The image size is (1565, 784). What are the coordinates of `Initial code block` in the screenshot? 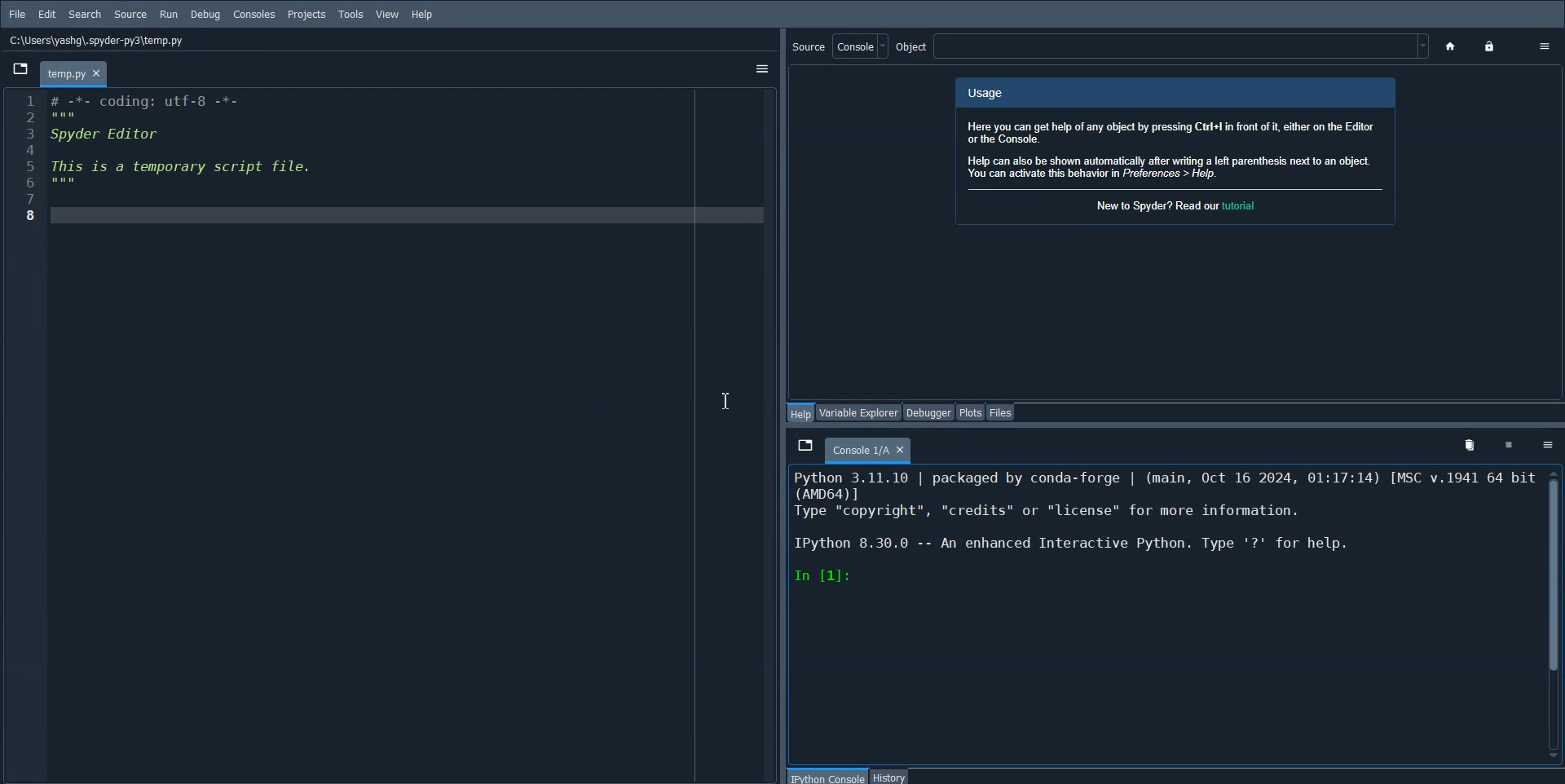 It's located at (183, 144).